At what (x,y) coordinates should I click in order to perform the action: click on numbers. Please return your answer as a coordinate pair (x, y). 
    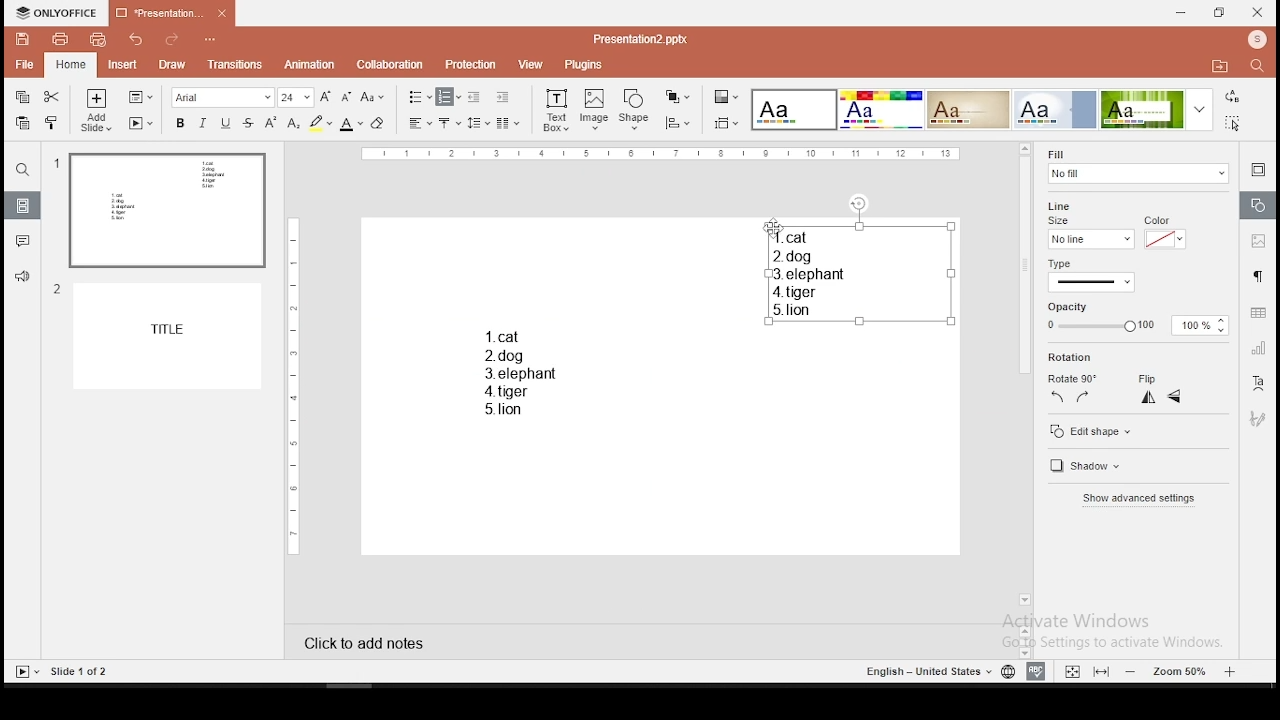
    Looking at the image, I should click on (55, 233).